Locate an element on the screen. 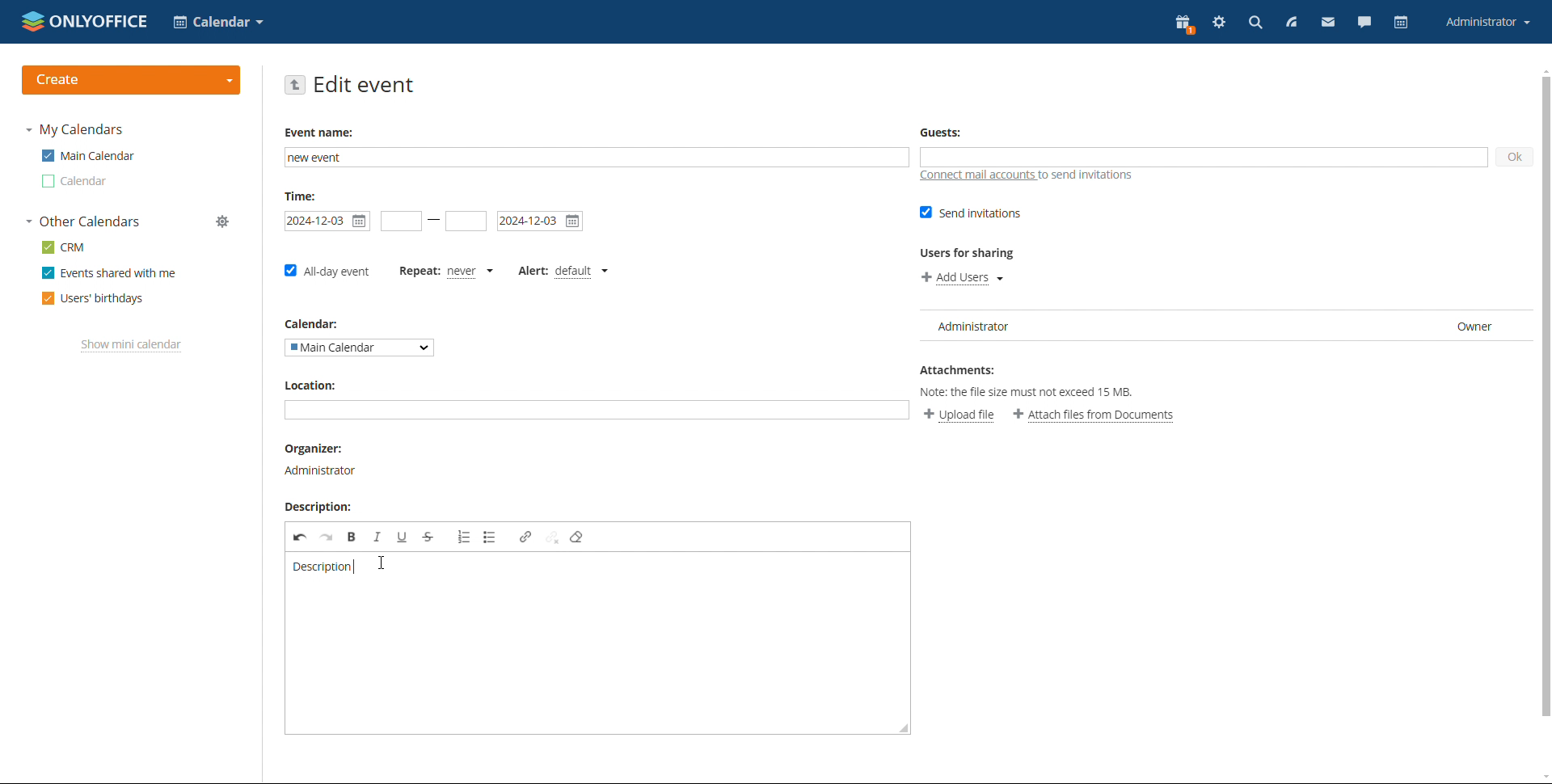  scroll up is located at coordinates (1542, 72).